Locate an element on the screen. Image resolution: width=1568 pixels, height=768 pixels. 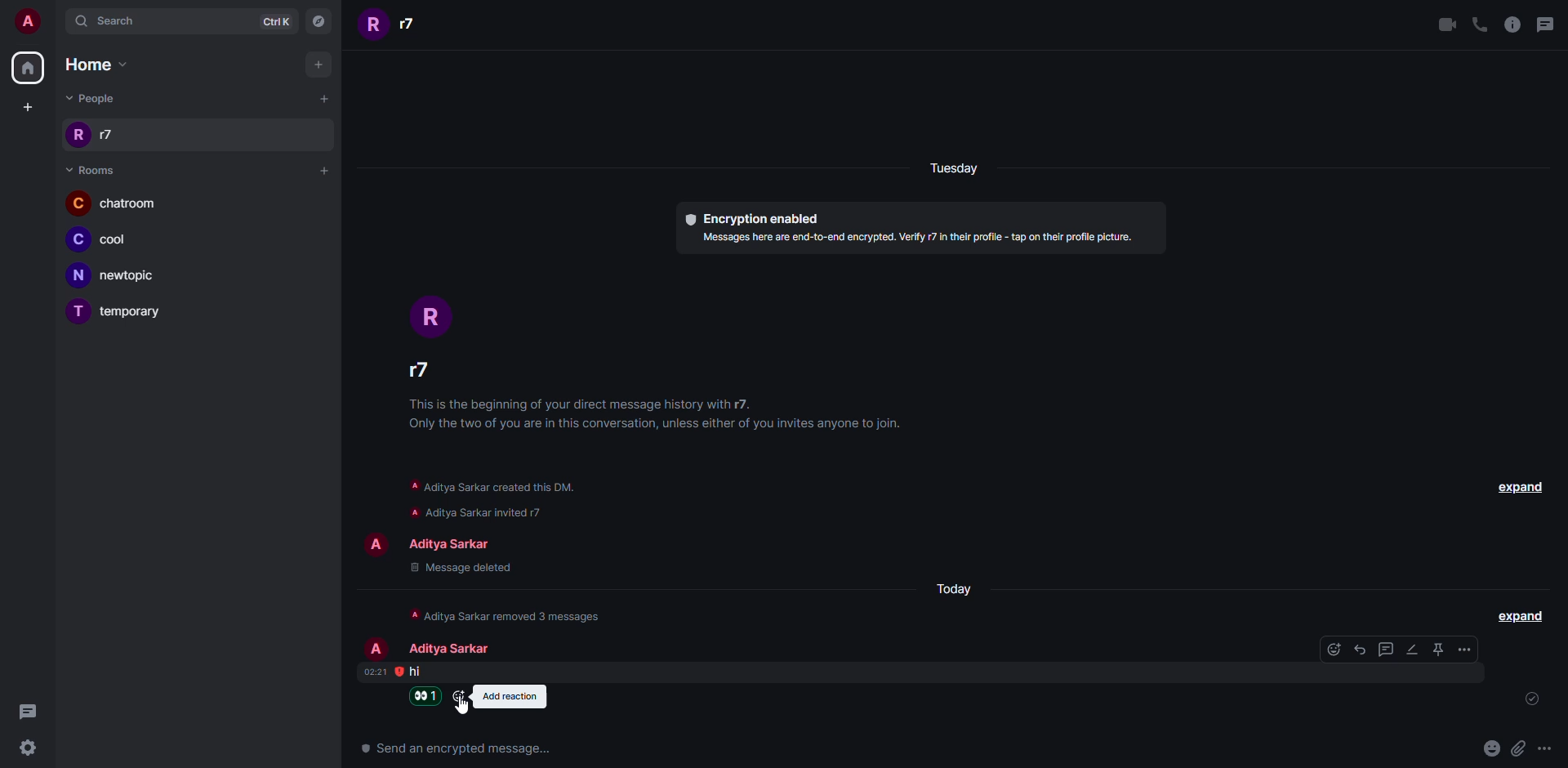
message is located at coordinates (416, 672).